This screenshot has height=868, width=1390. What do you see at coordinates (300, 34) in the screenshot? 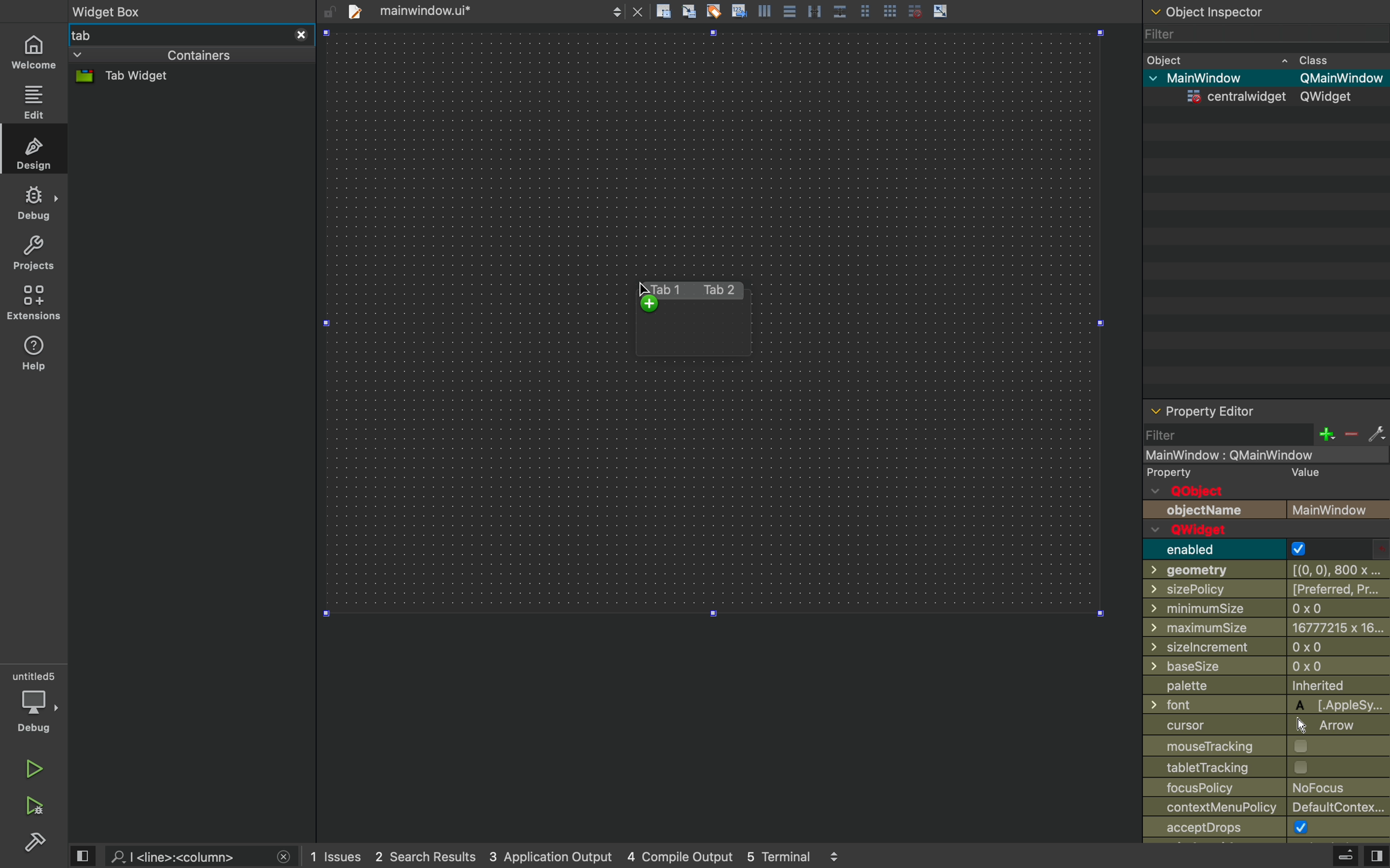
I see `close` at bounding box center [300, 34].